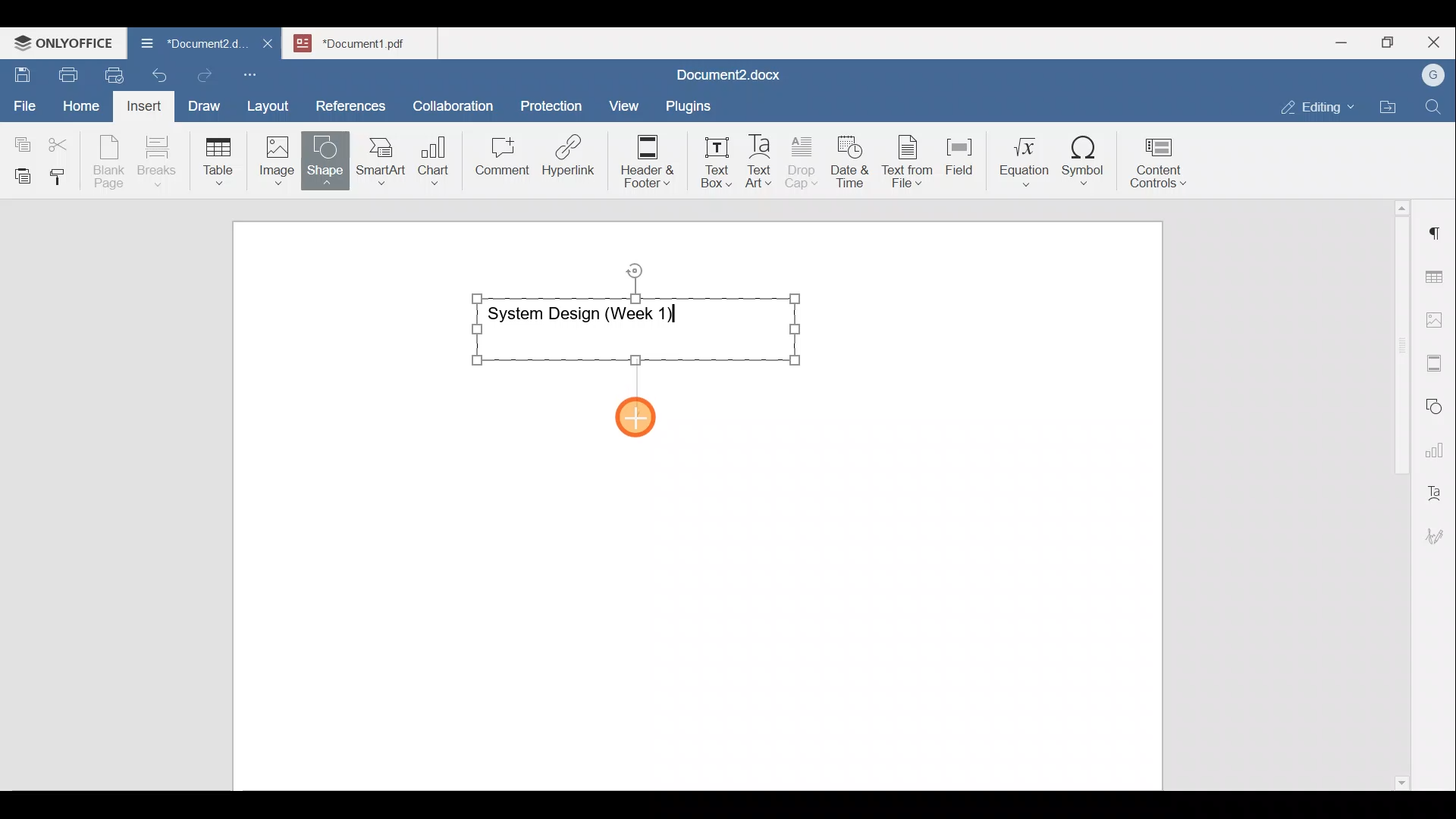 The width and height of the screenshot is (1456, 819). What do you see at coordinates (1161, 168) in the screenshot?
I see `Content controls` at bounding box center [1161, 168].